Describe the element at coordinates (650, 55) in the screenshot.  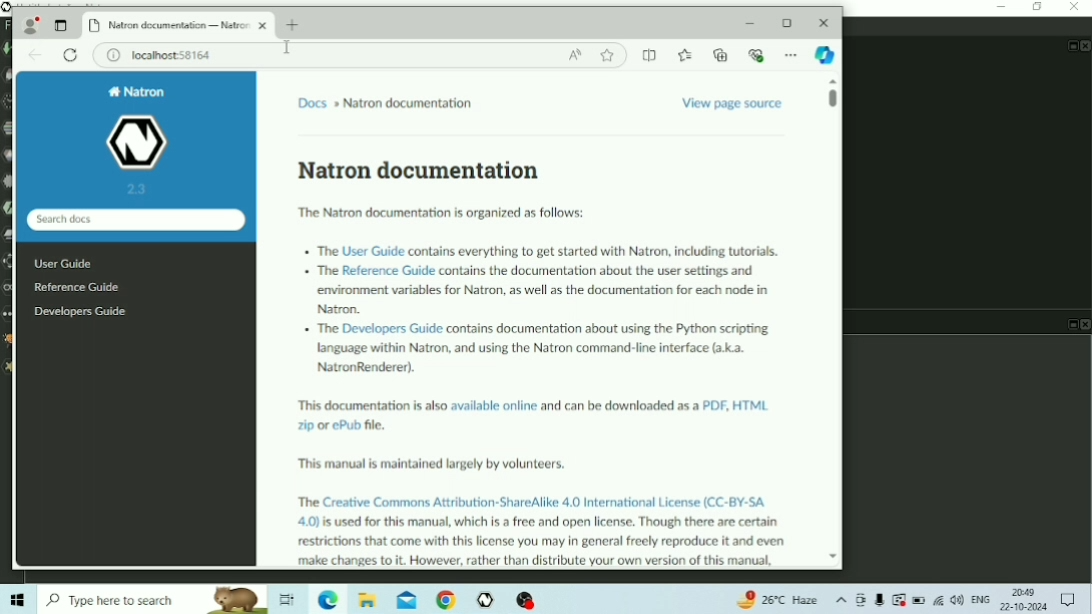
I see `Split screen` at that location.